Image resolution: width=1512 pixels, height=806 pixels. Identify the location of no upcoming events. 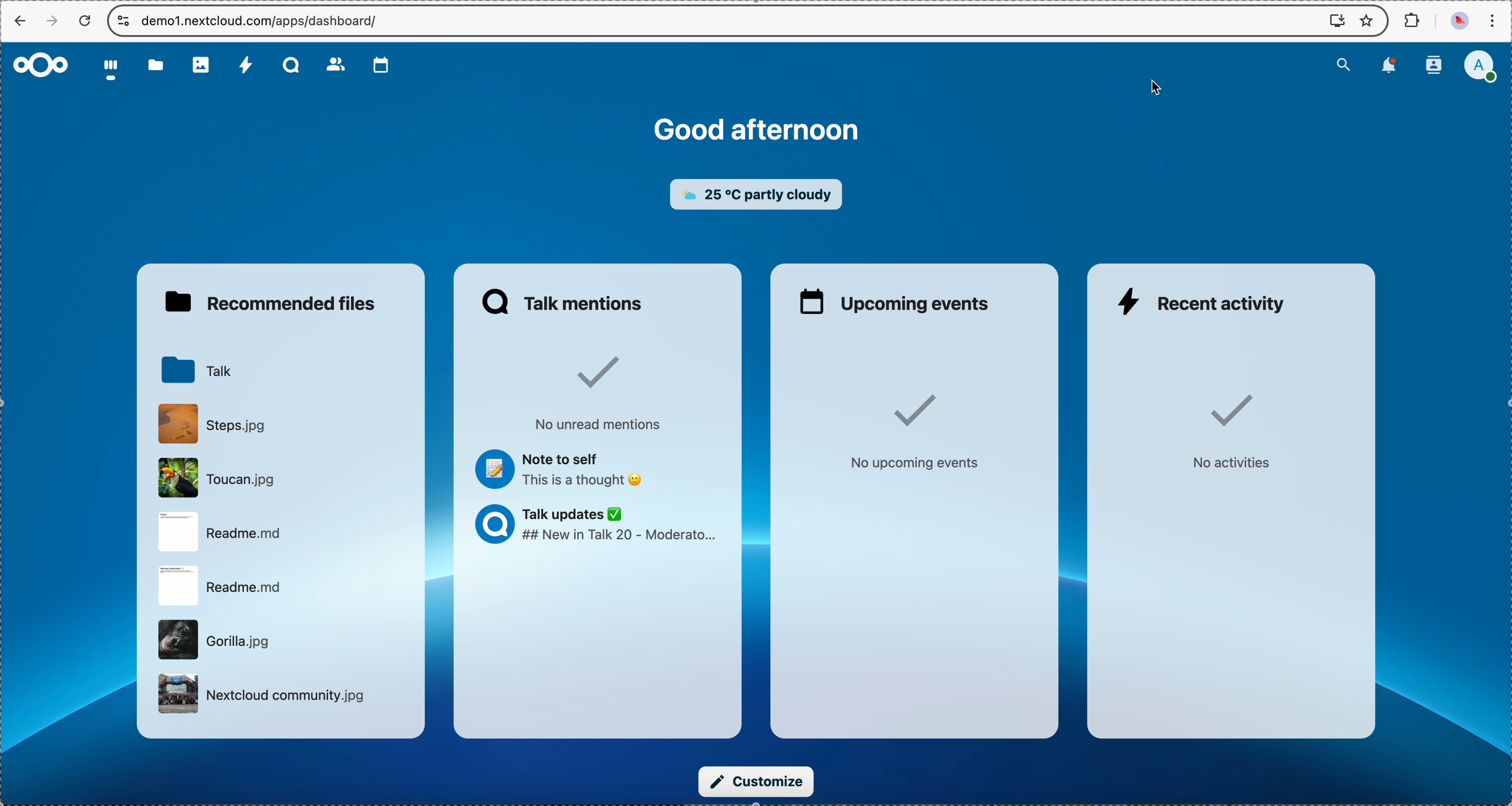
(914, 434).